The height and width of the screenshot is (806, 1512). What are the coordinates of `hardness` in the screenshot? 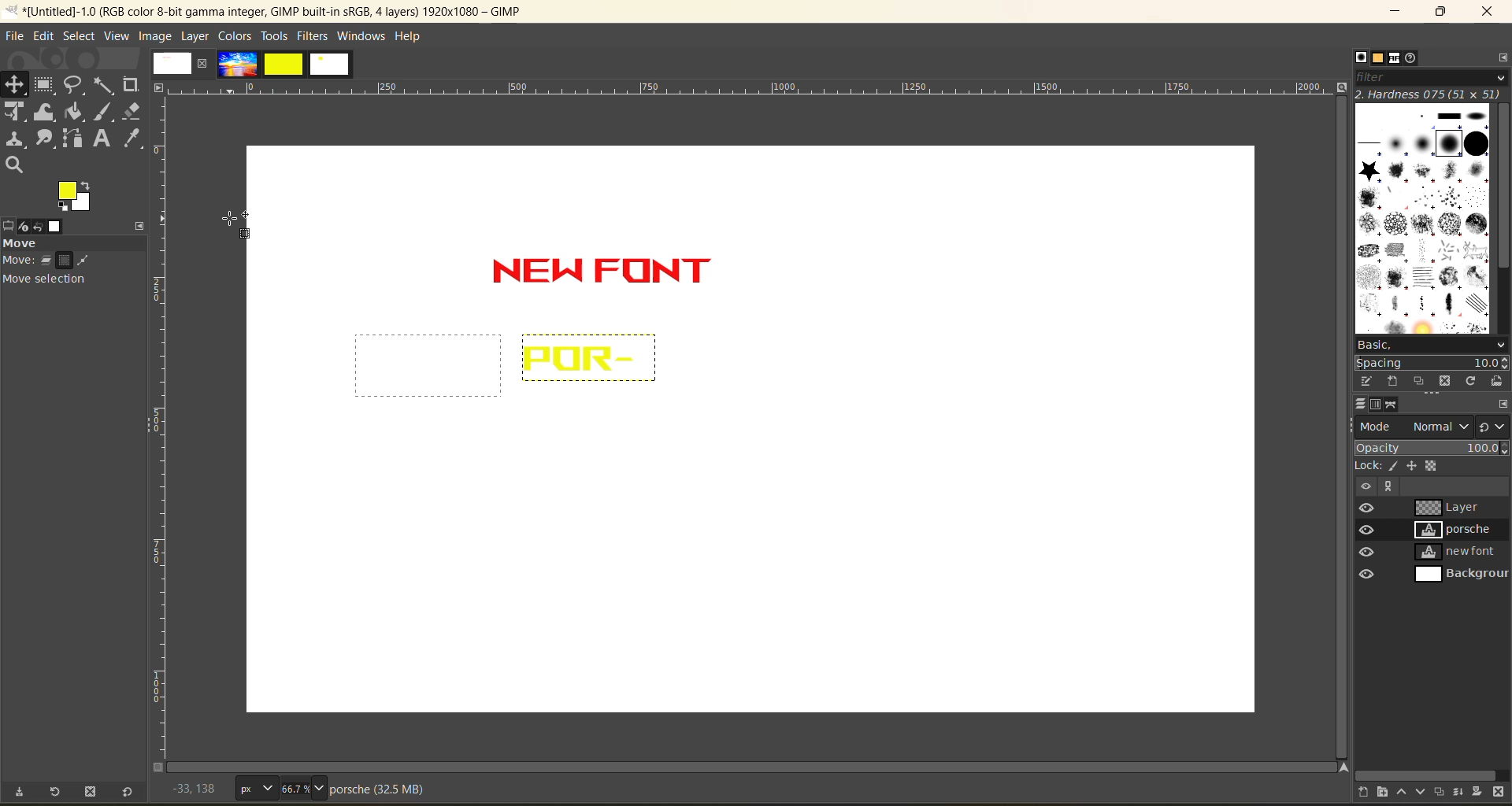 It's located at (1430, 94).